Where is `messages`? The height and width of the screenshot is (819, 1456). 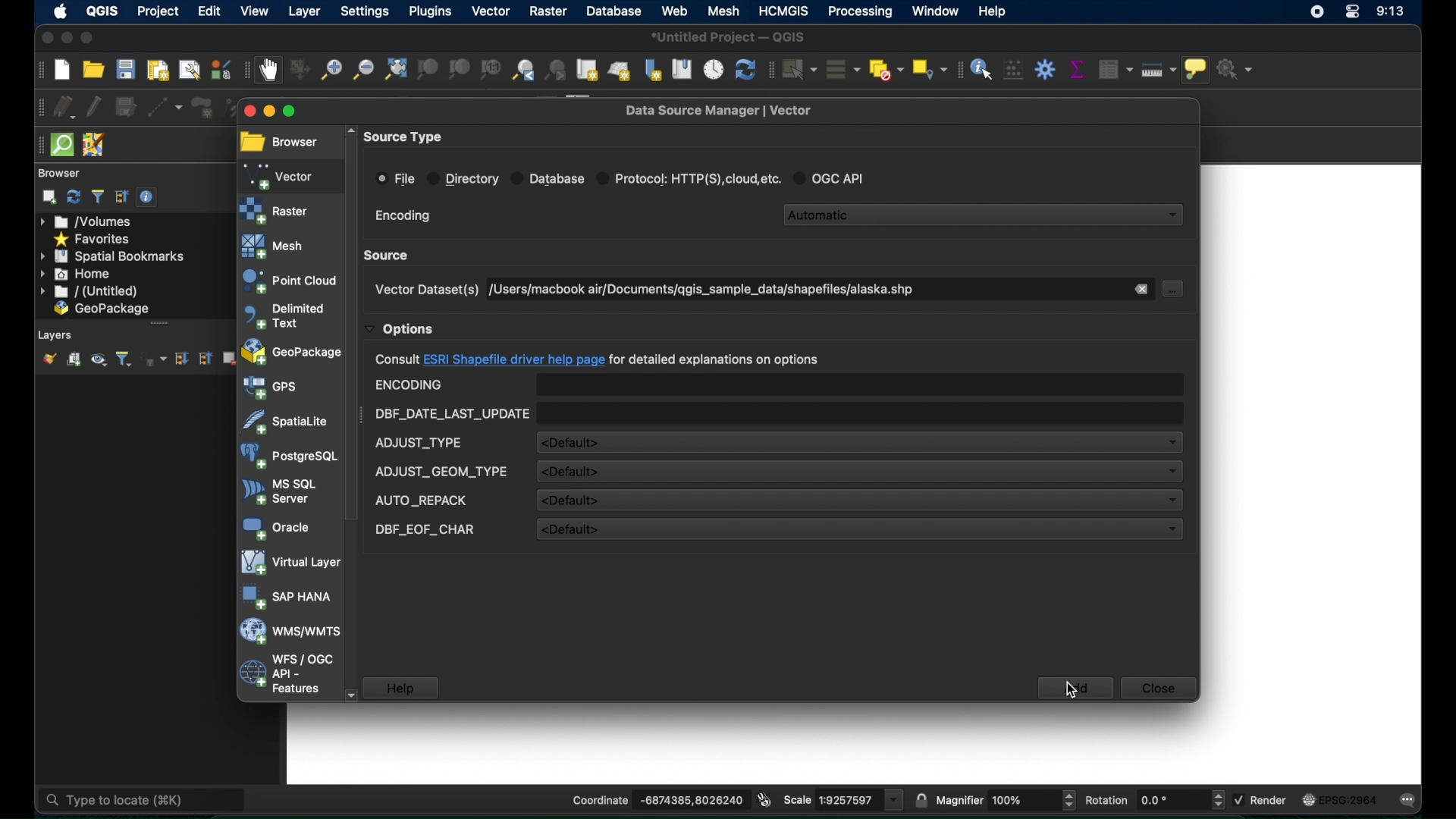
messages is located at coordinates (1411, 801).